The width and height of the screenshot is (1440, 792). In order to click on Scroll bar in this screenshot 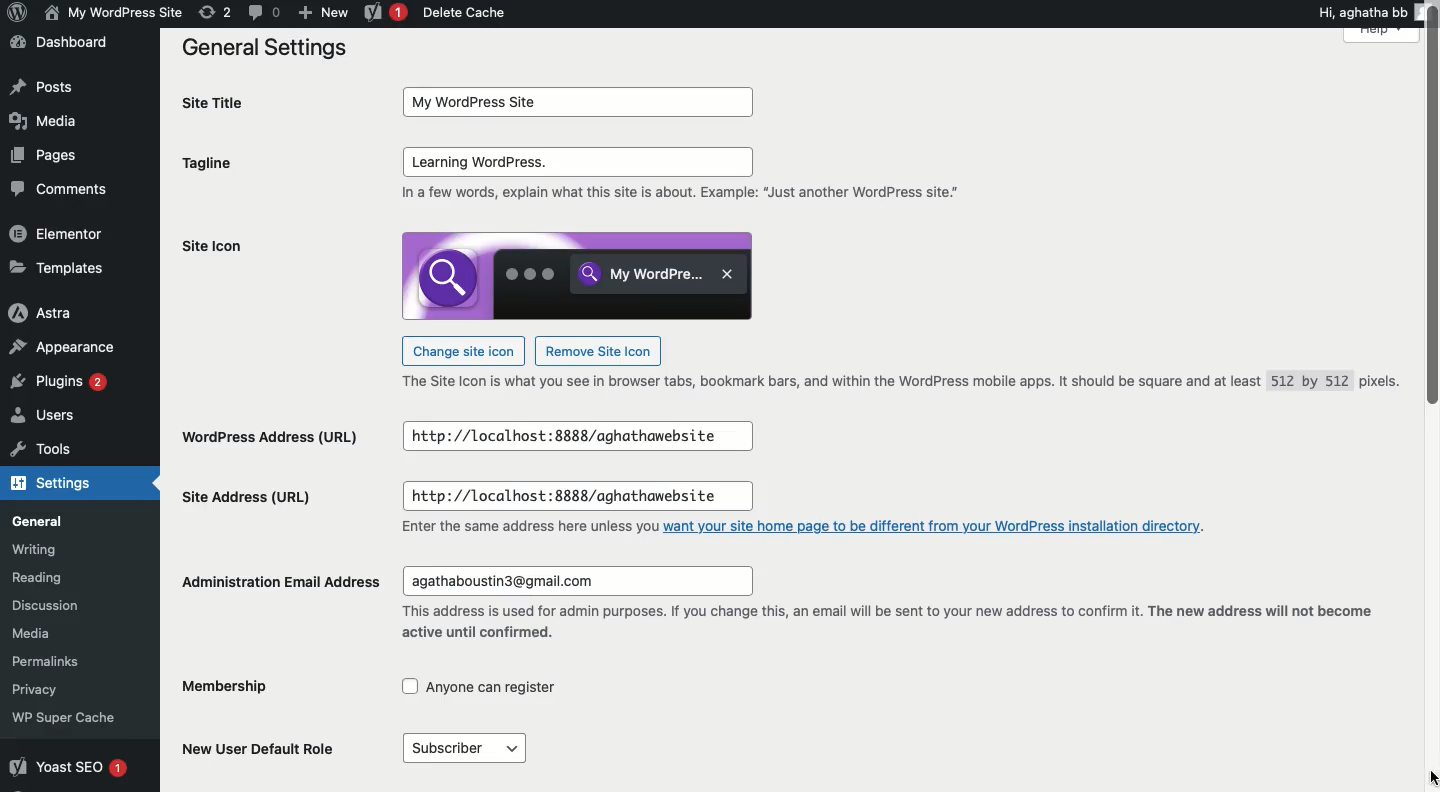, I will do `click(1430, 219)`.